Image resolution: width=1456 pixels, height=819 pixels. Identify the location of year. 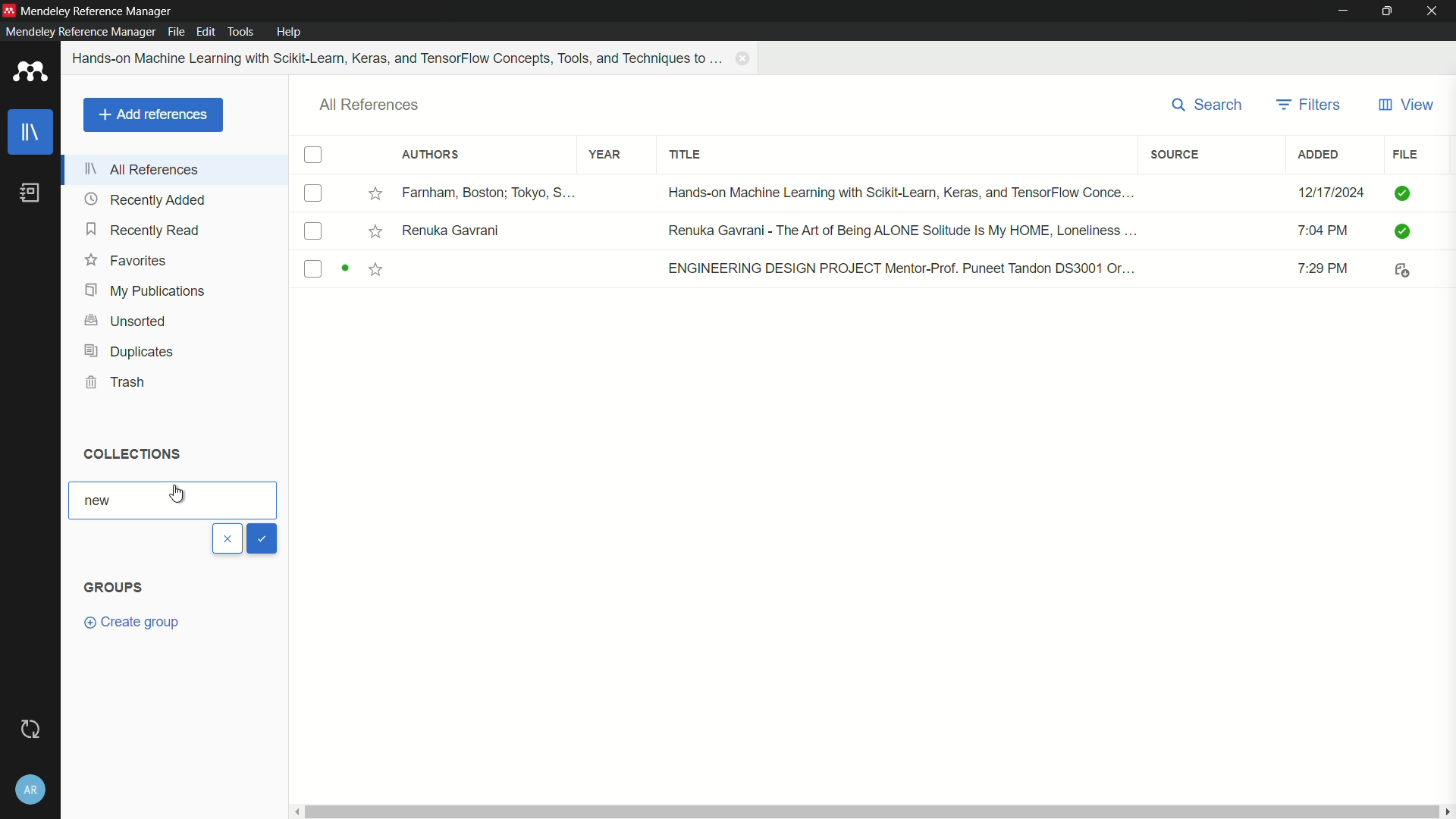
(606, 155).